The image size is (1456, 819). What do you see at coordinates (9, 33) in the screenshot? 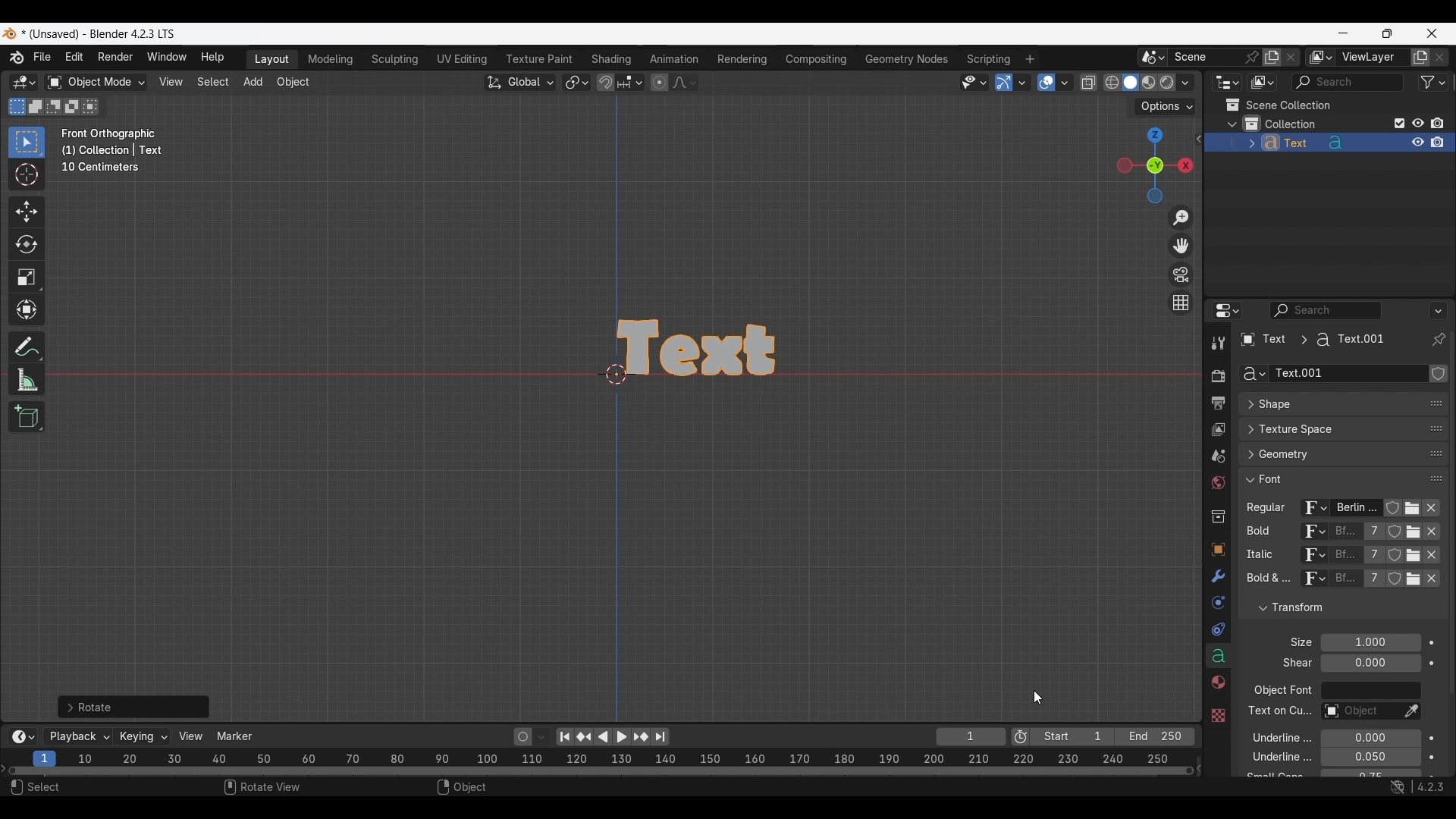
I see `Software logo` at bounding box center [9, 33].